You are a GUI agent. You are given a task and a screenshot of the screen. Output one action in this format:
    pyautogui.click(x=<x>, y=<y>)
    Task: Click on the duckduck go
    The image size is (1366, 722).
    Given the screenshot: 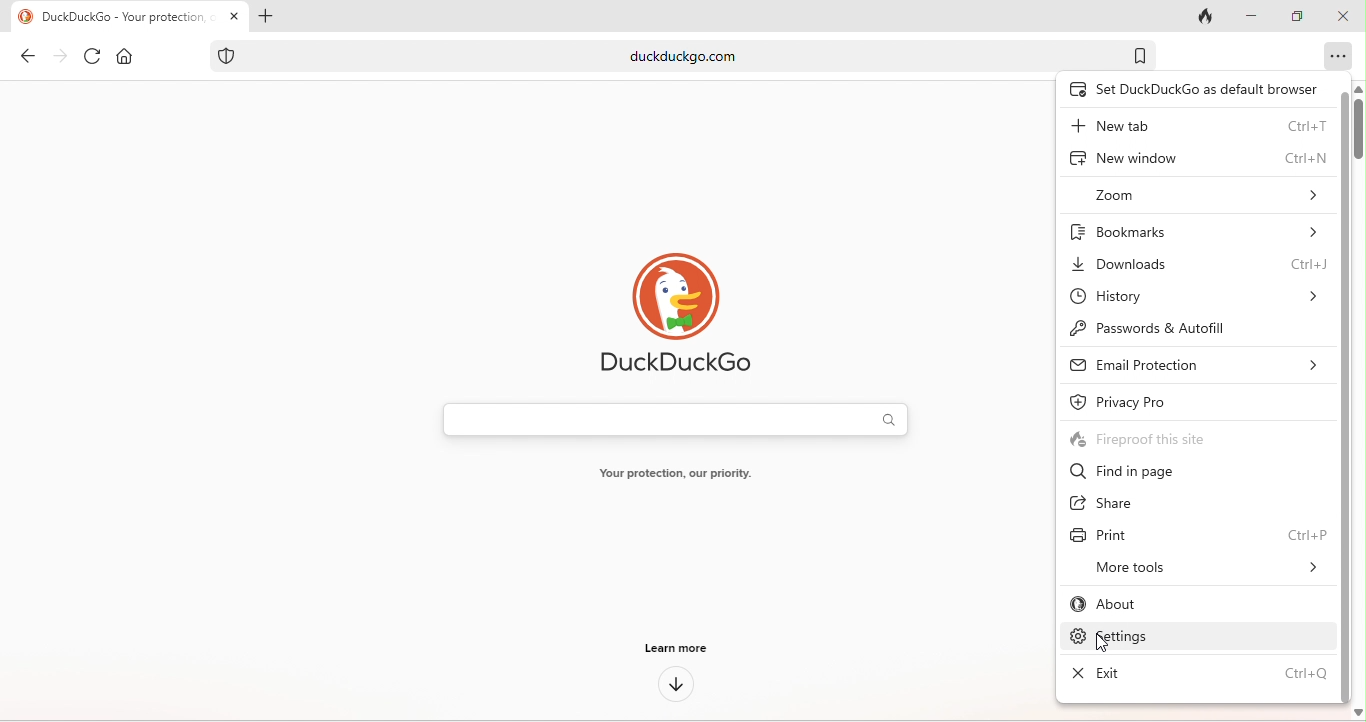 What is the action you would take?
    pyautogui.click(x=688, y=366)
    